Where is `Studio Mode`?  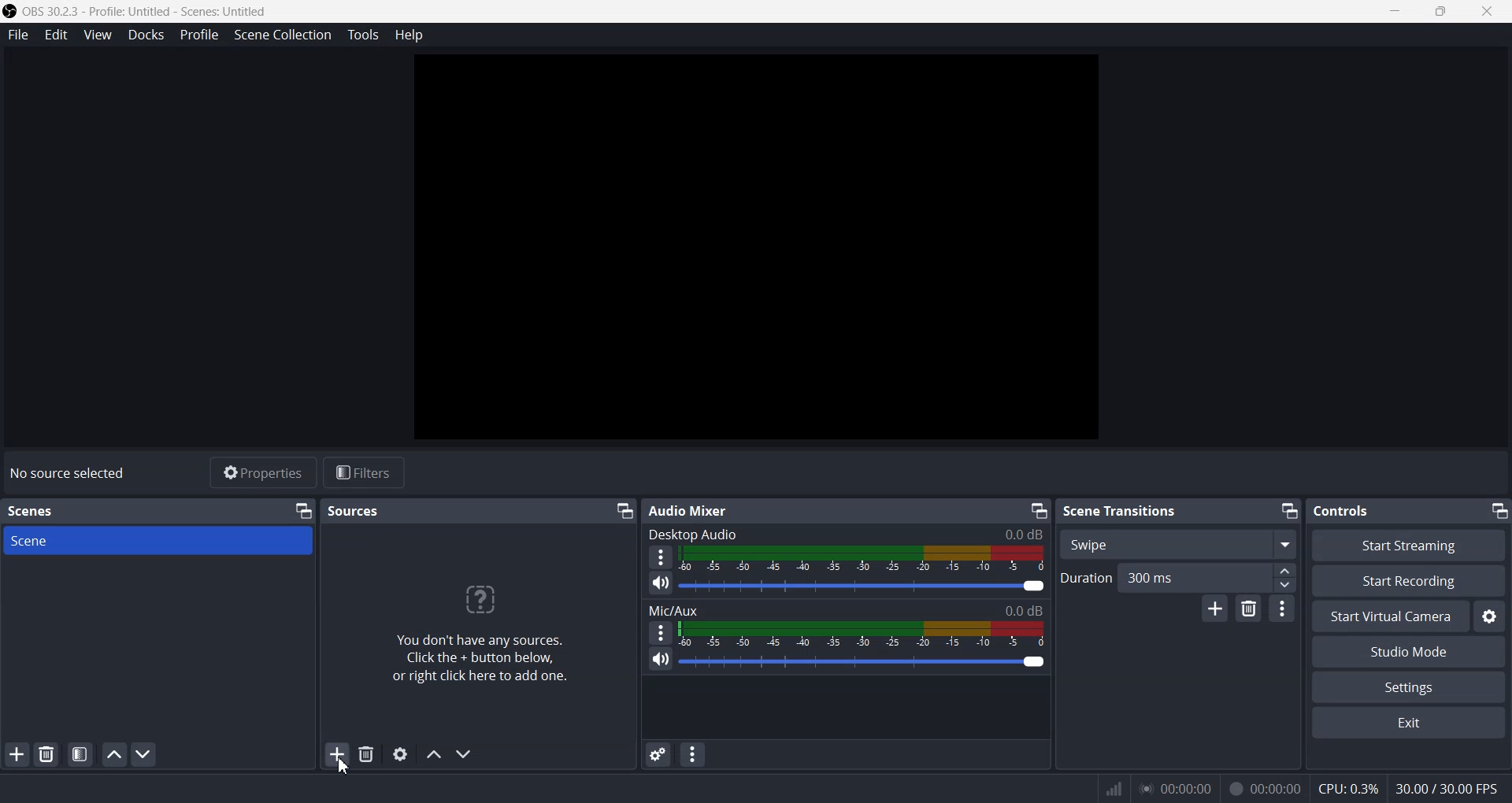
Studio Mode is located at coordinates (1407, 653).